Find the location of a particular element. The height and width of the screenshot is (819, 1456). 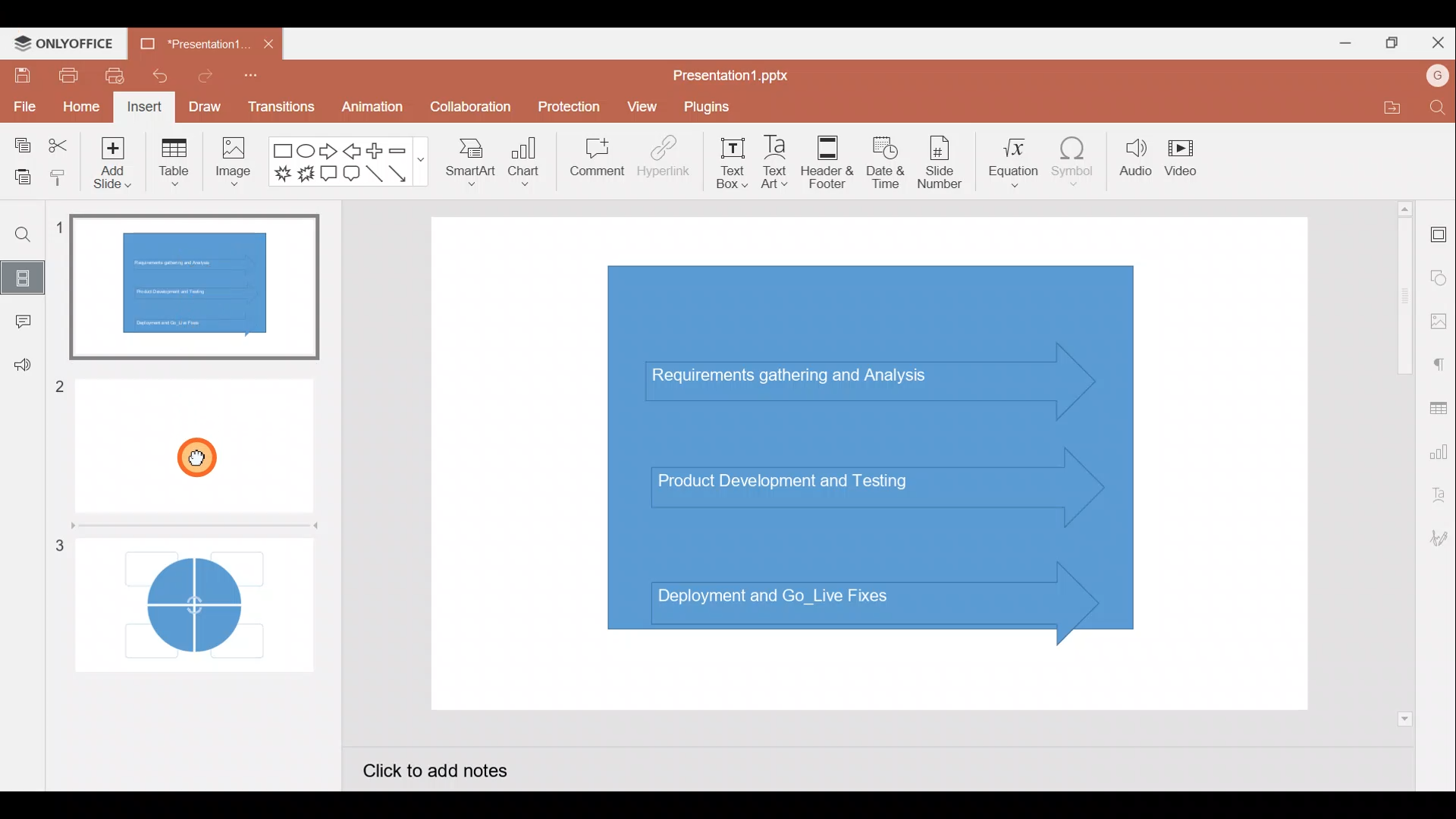

Hyperlink is located at coordinates (664, 162).